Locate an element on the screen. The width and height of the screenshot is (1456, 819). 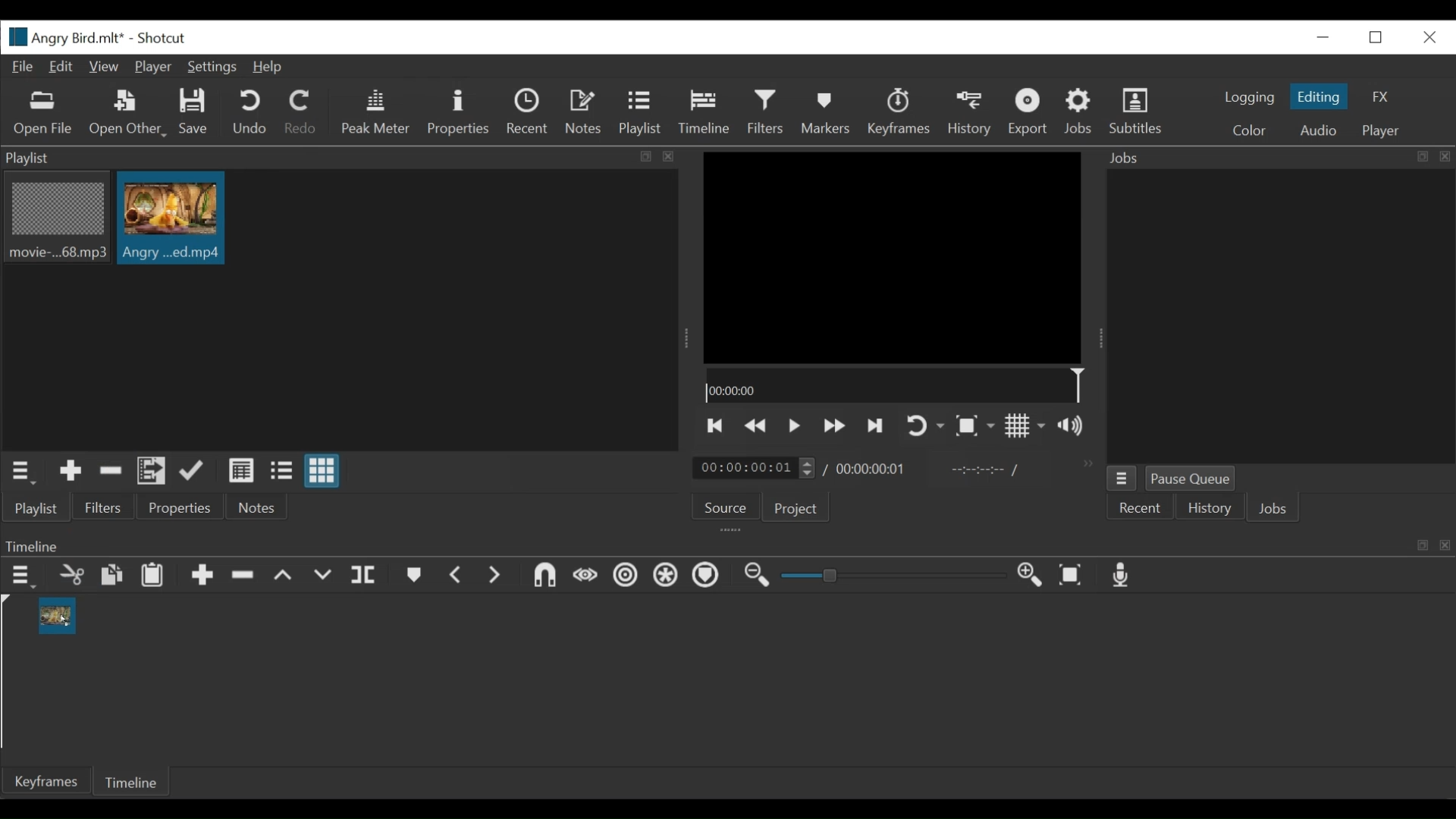
Toggle player looping is located at coordinates (923, 427).